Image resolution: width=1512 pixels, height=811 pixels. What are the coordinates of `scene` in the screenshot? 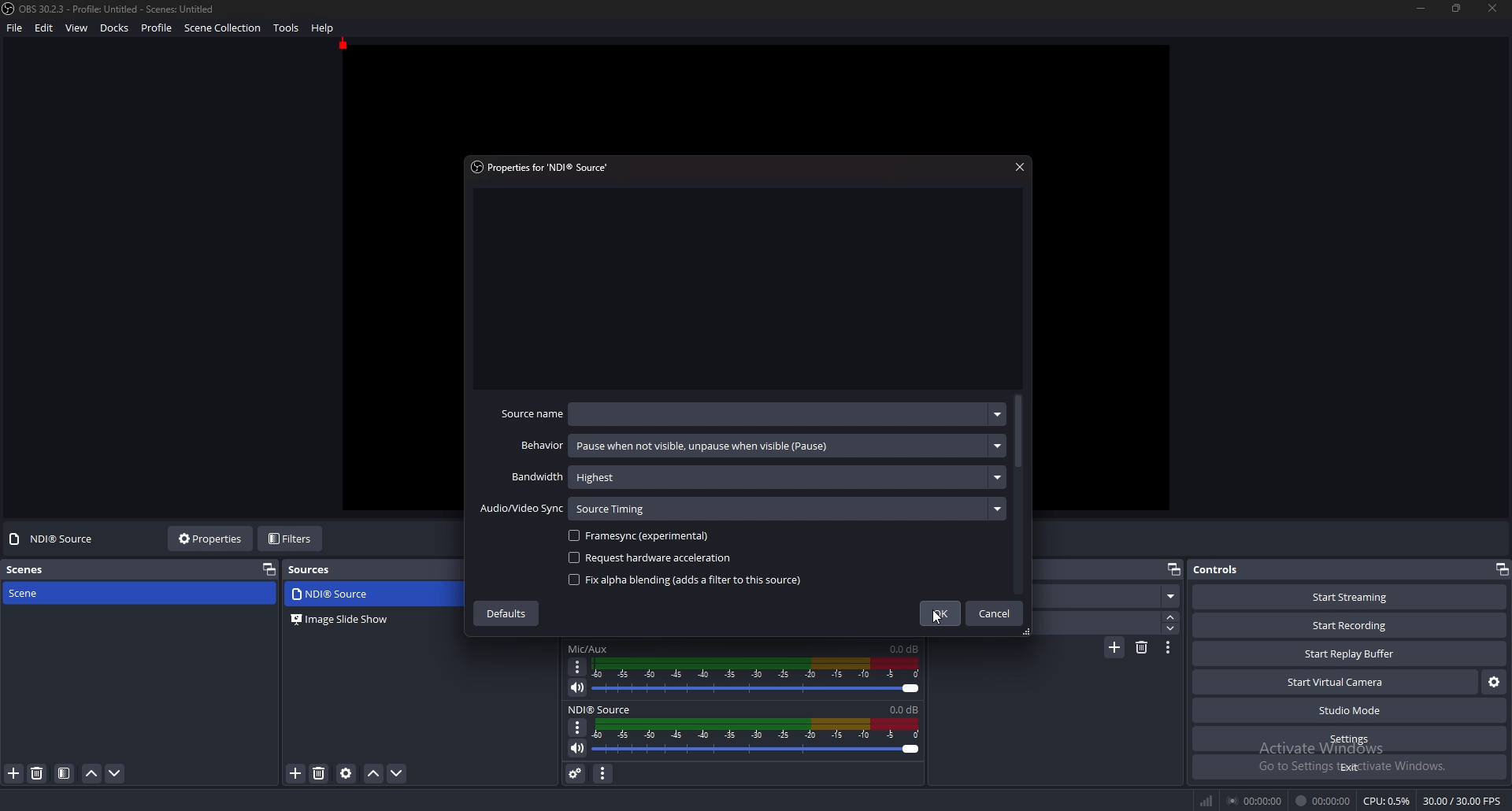 It's located at (43, 594).